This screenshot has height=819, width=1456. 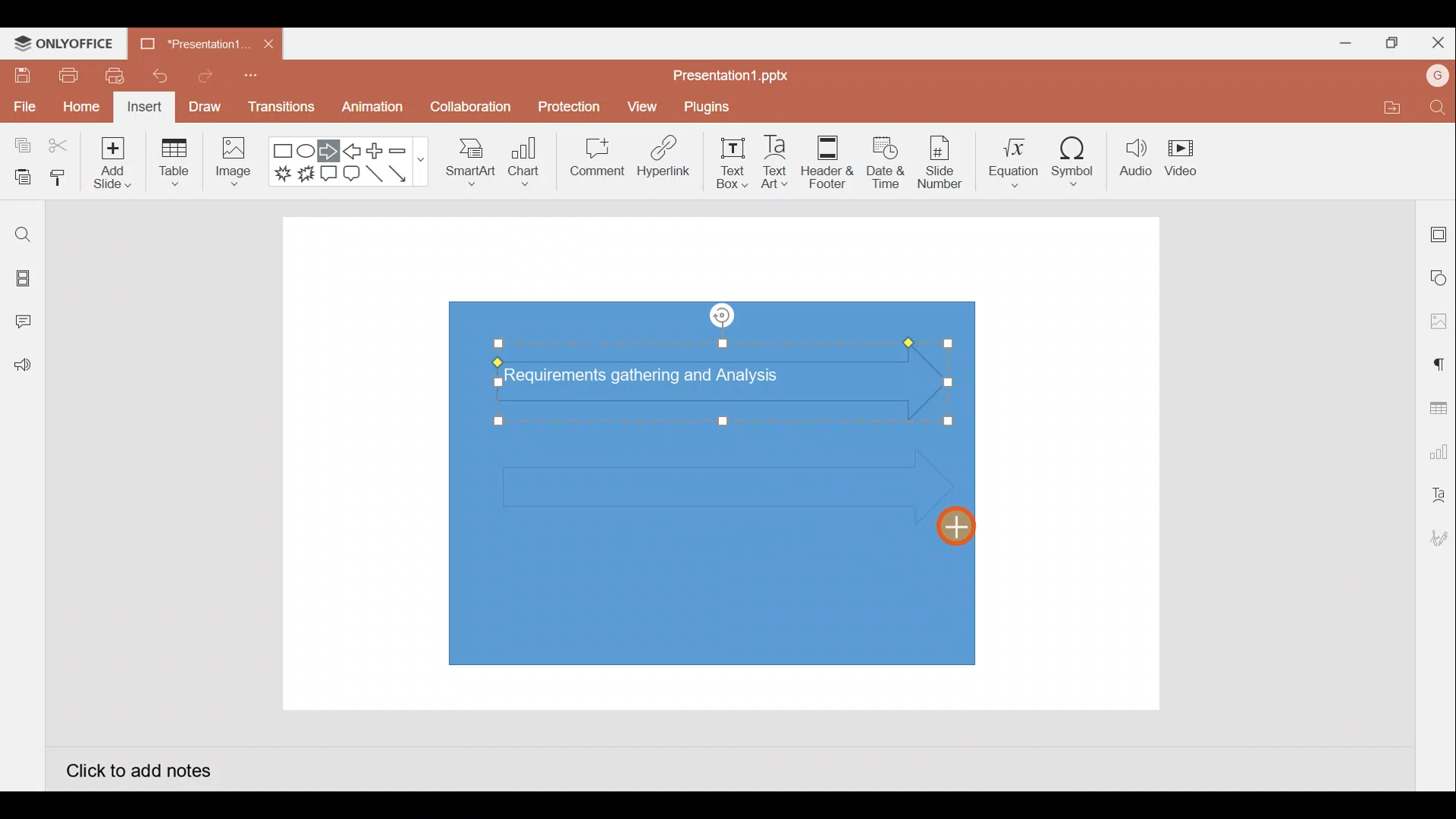 I want to click on Text Art, so click(x=781, y=158).